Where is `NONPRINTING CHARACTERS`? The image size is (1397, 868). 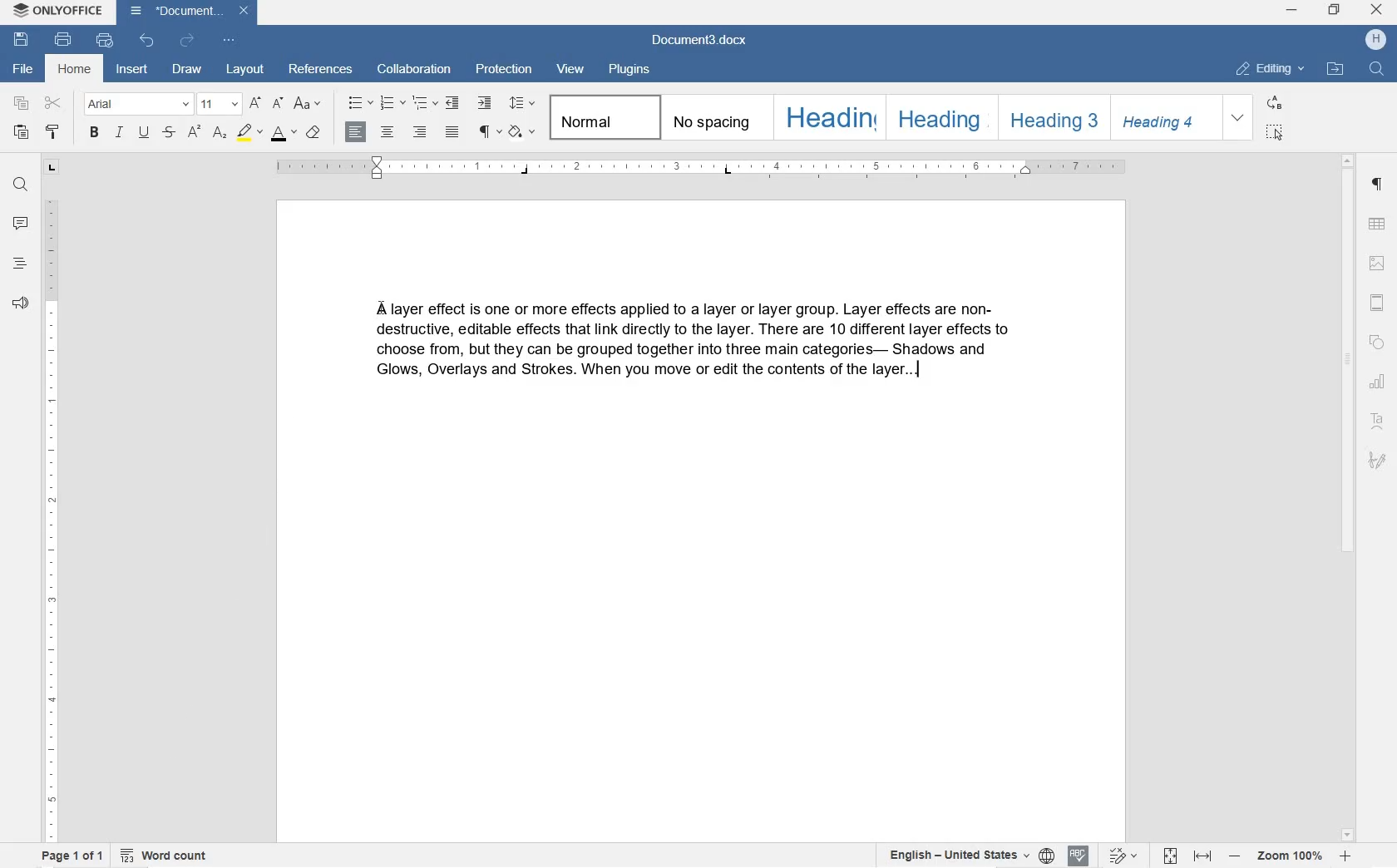 NONPRINTING CHARACTERS is located at coordinates (490, 132).